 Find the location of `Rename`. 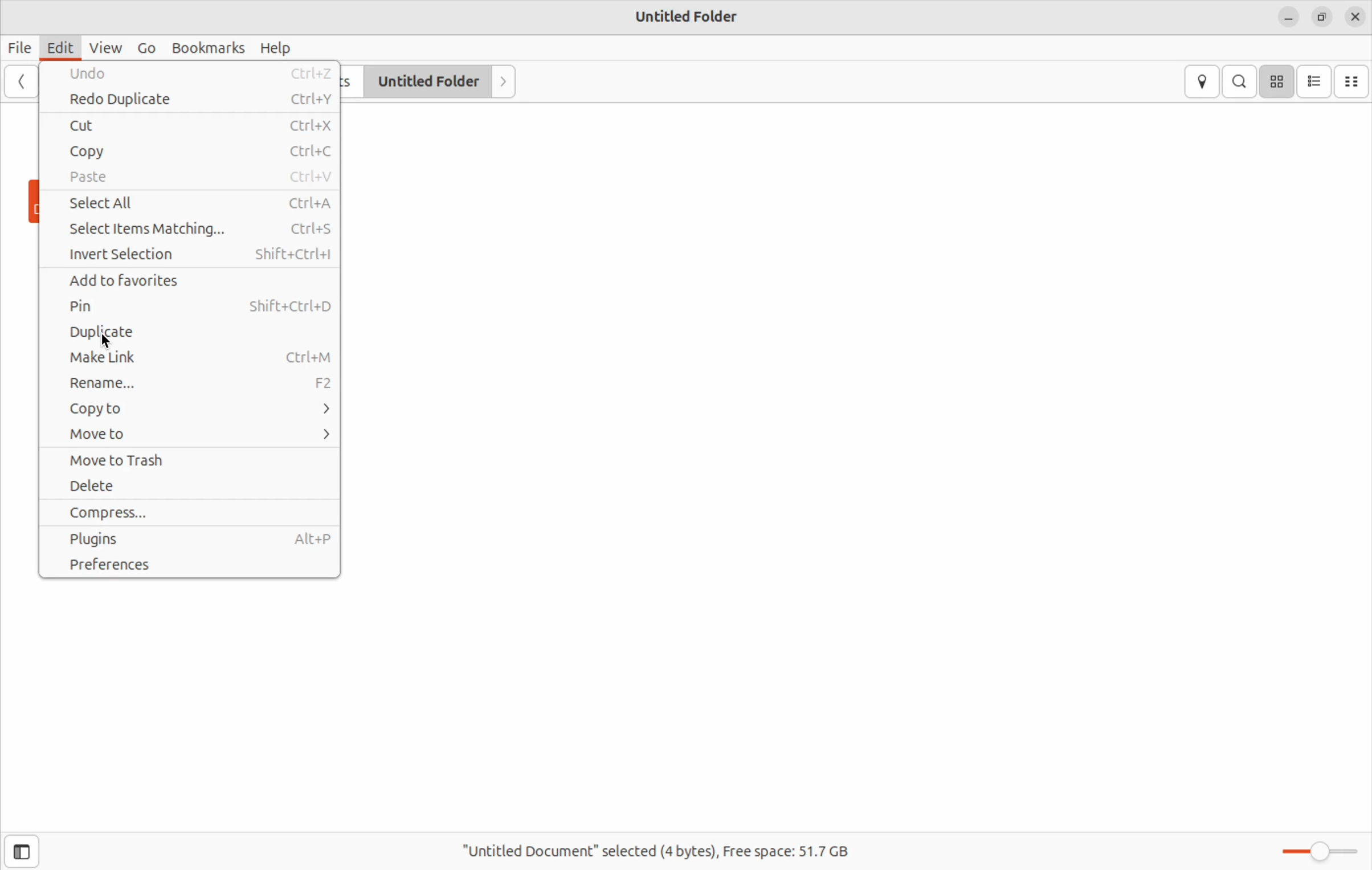

Rename is located at coordinates (189, 382).